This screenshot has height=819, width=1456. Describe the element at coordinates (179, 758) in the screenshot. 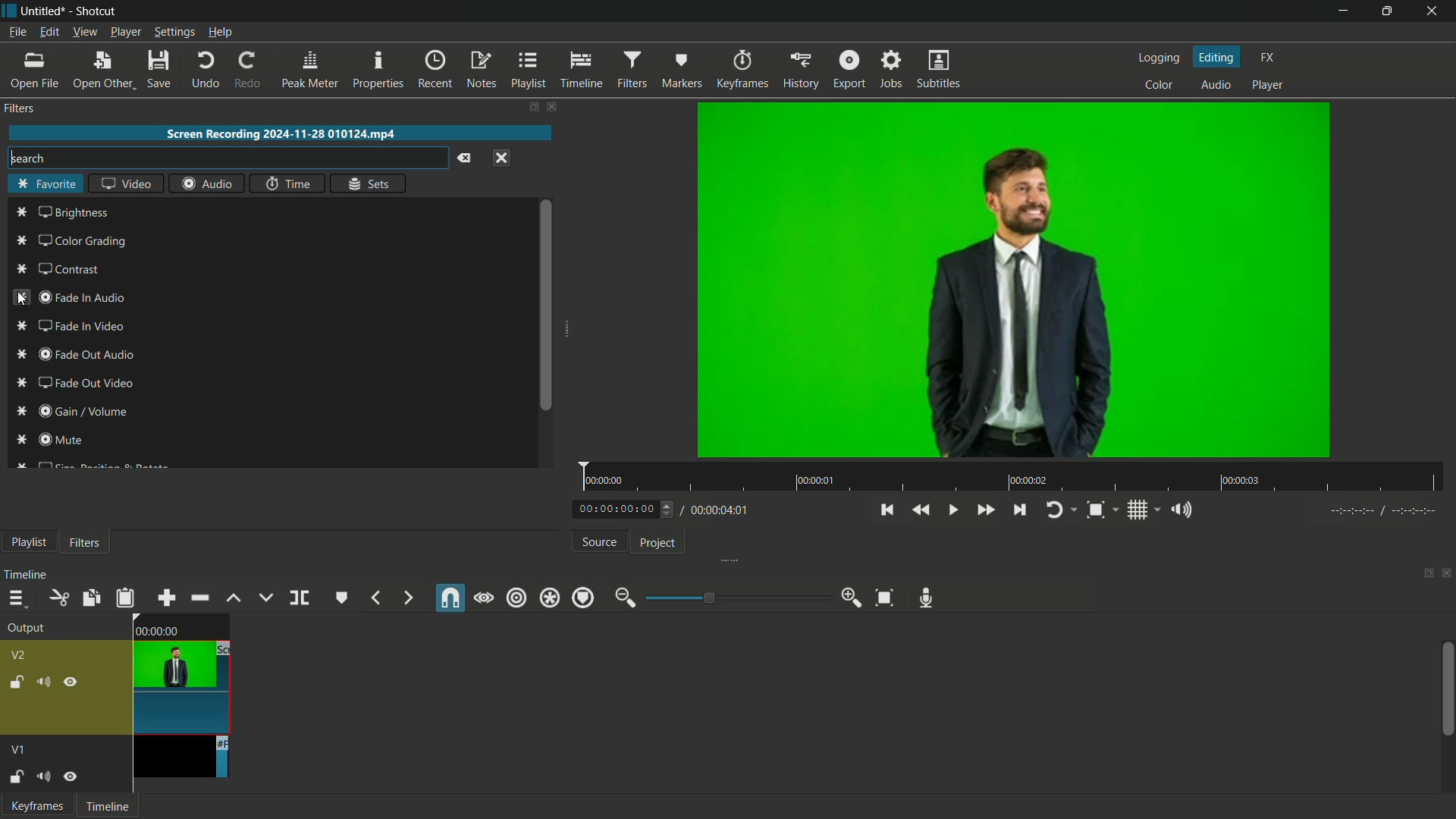

I see `video-1 on timeline` at that location.